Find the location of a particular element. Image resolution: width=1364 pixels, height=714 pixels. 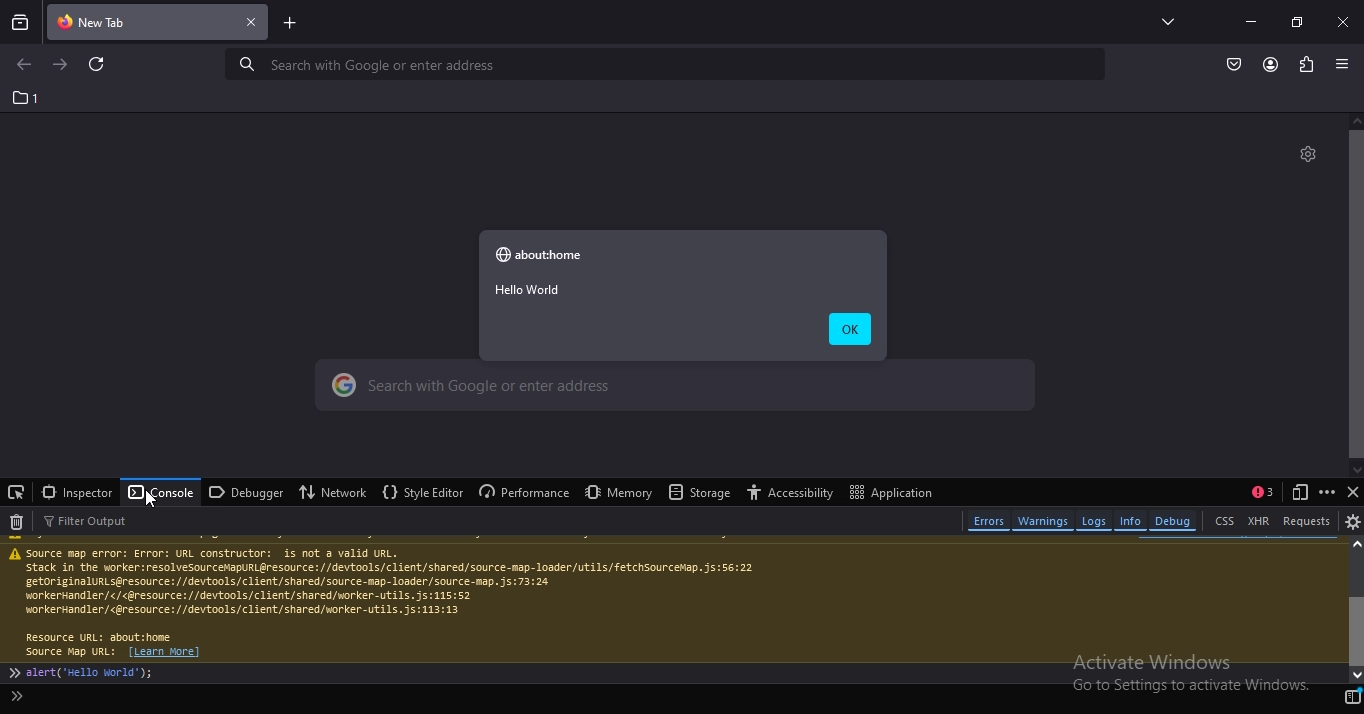

cursor is located at coordinates (152, 498).